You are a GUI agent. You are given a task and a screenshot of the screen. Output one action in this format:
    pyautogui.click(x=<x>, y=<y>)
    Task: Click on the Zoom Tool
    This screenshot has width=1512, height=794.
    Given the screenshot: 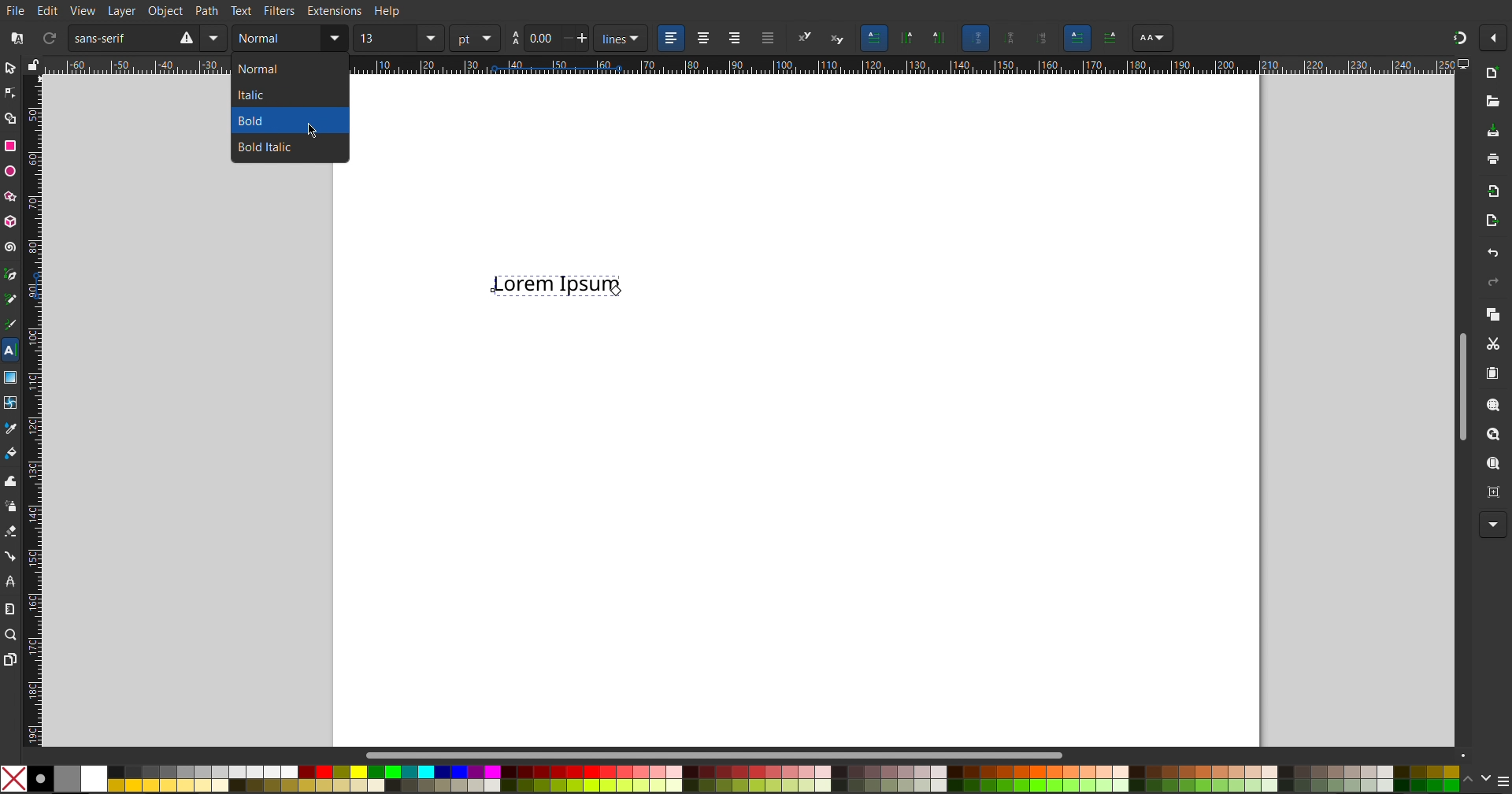 What is the action you would take?
    pyautogui.click(x=13, y=636)
    